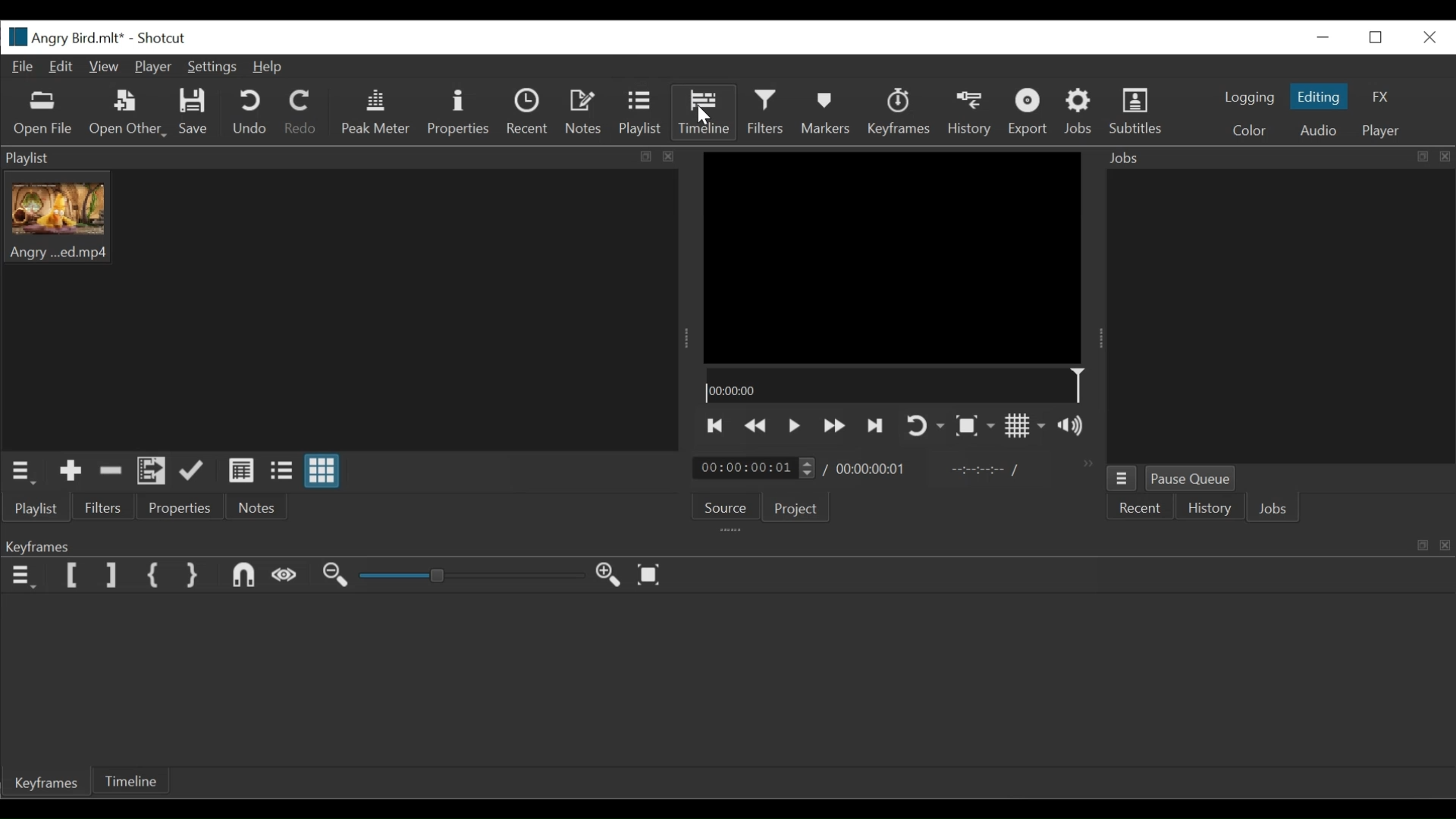 The image size is (1456, 819). I want to click on Close, so click(1427, 36).